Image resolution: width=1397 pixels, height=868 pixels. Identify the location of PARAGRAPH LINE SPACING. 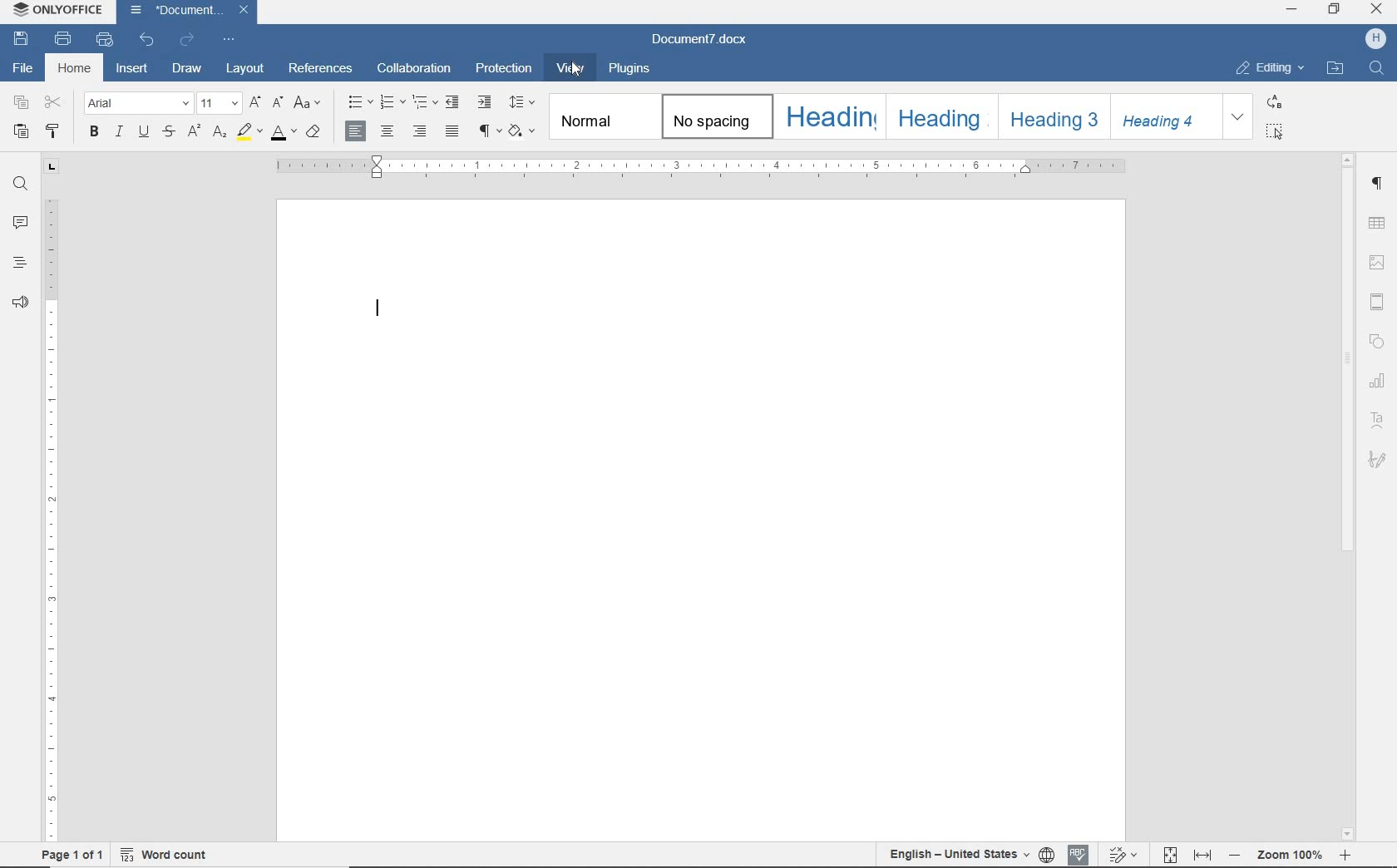
(524, 104).